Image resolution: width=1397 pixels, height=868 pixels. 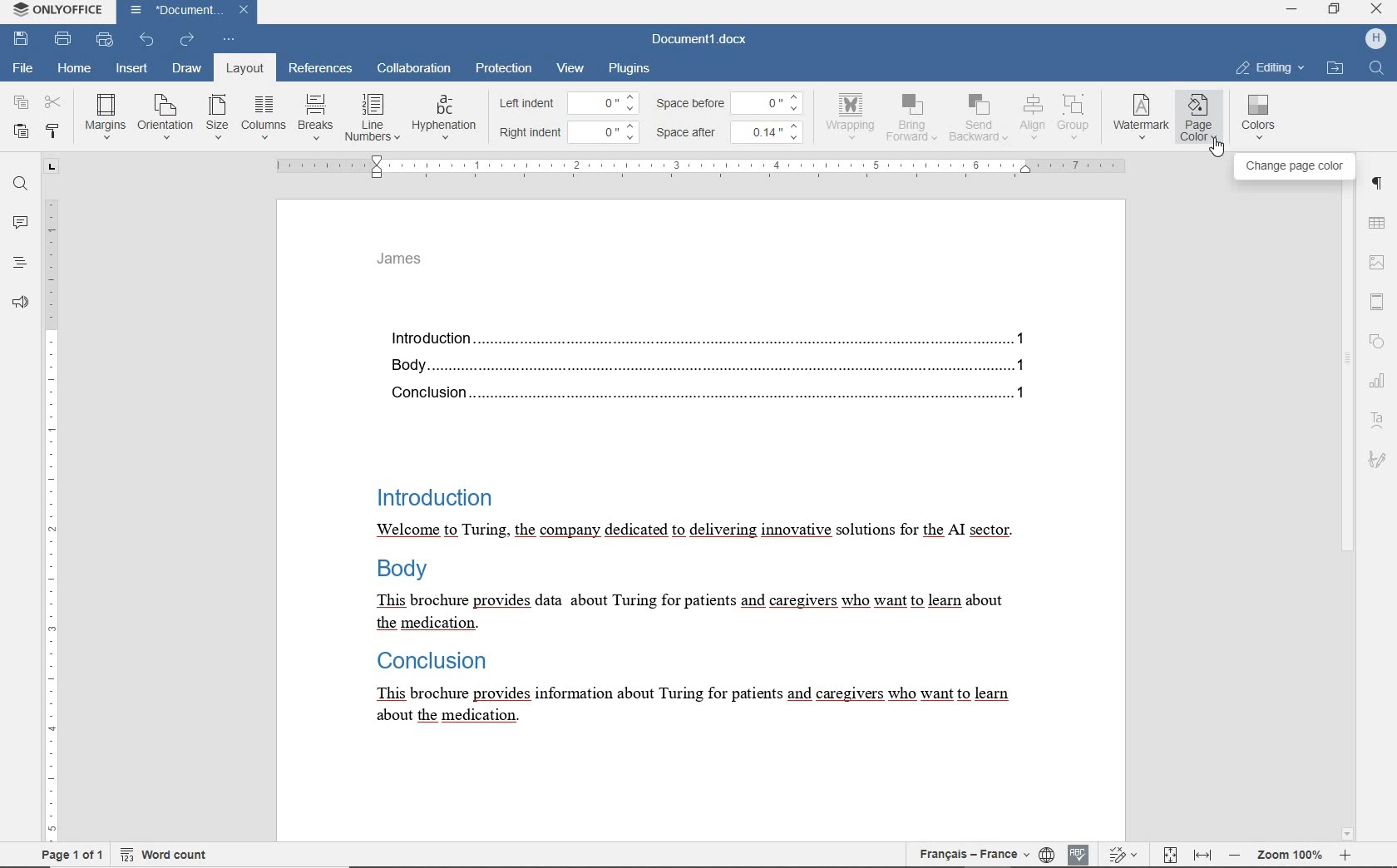 What do you see at coordinates (1346, 496) in the screenshot?
I see `scrollbar` at bounding box center [1346, 496].